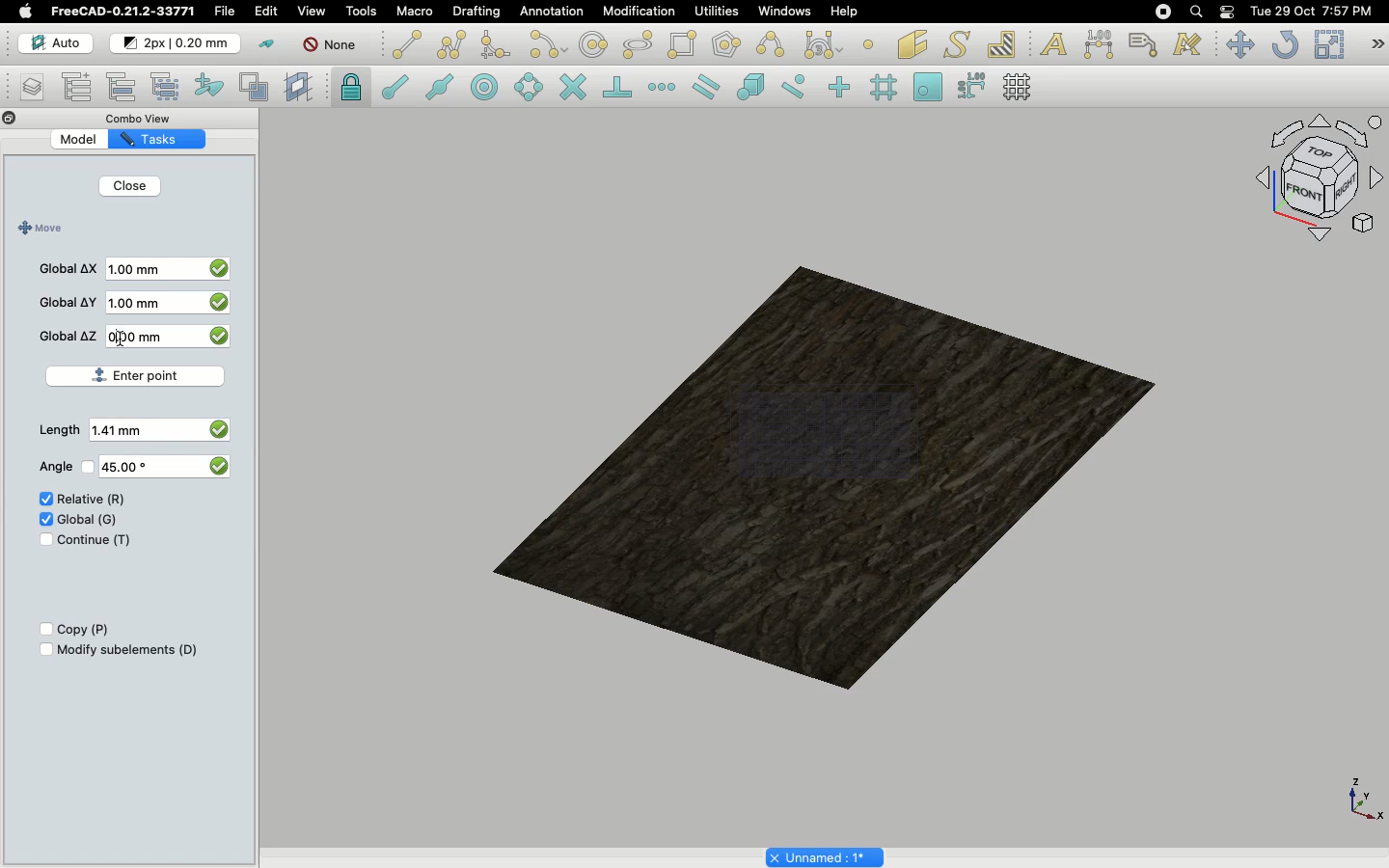 The image size is (1389, 868). I want to click on Check, so click(40, 542).